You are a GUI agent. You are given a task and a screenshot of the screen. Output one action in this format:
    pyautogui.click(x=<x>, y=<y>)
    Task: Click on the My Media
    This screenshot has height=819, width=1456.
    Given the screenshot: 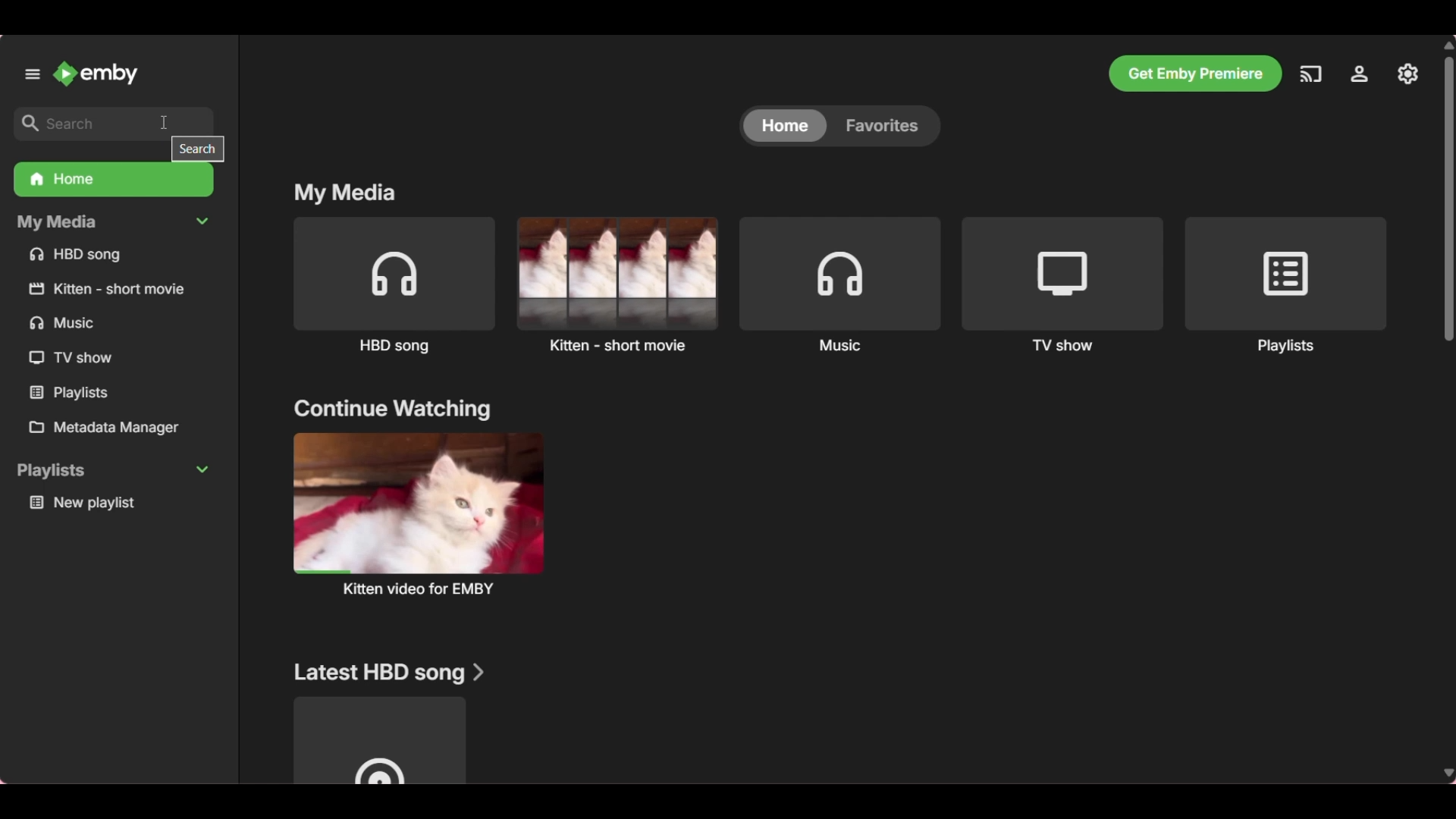 What is the action you would take?
    pyautogui.click(x=114, y=223)
    